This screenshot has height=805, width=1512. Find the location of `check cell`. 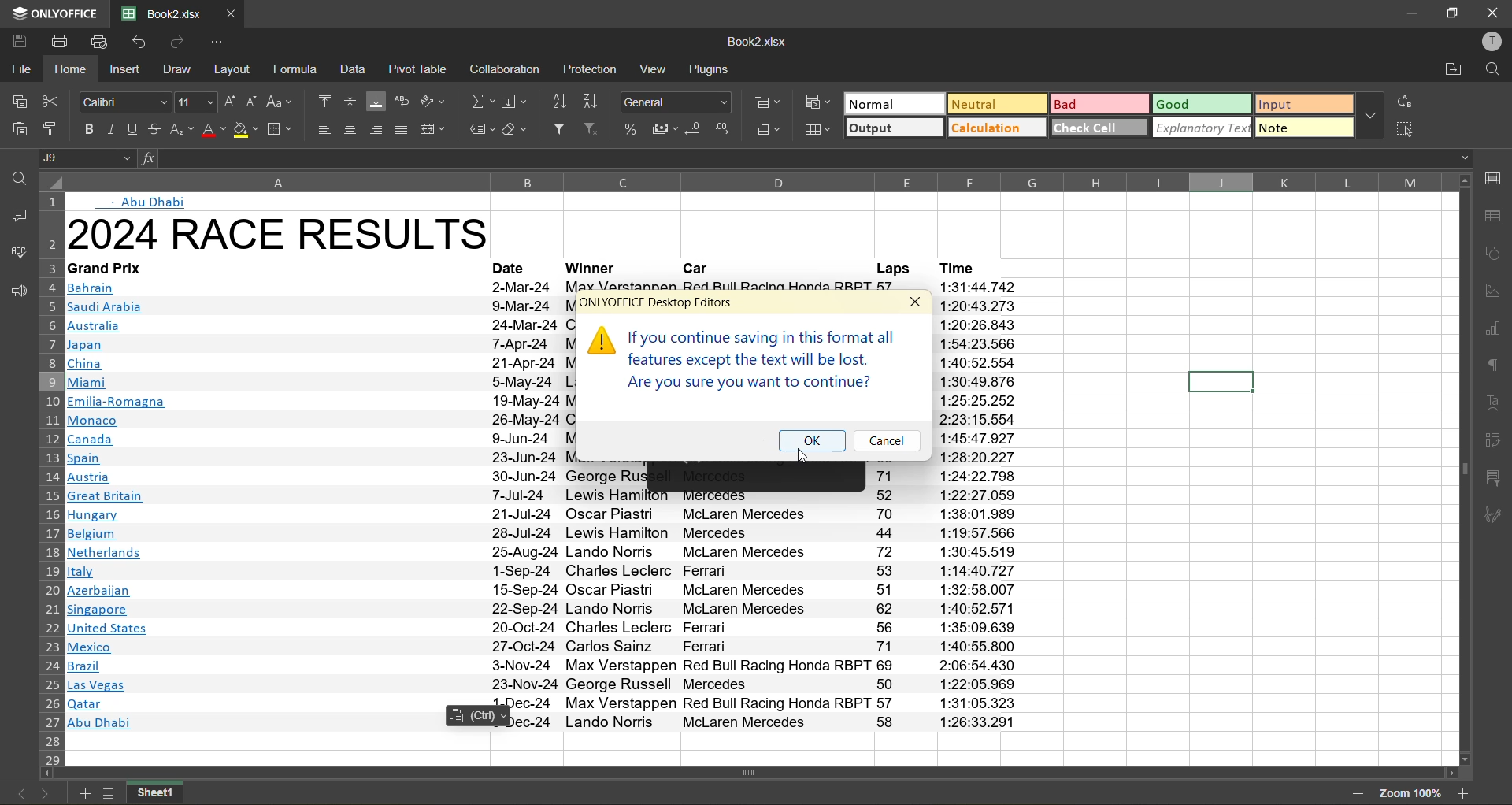

check cell is located at coordinates (1100, 128).